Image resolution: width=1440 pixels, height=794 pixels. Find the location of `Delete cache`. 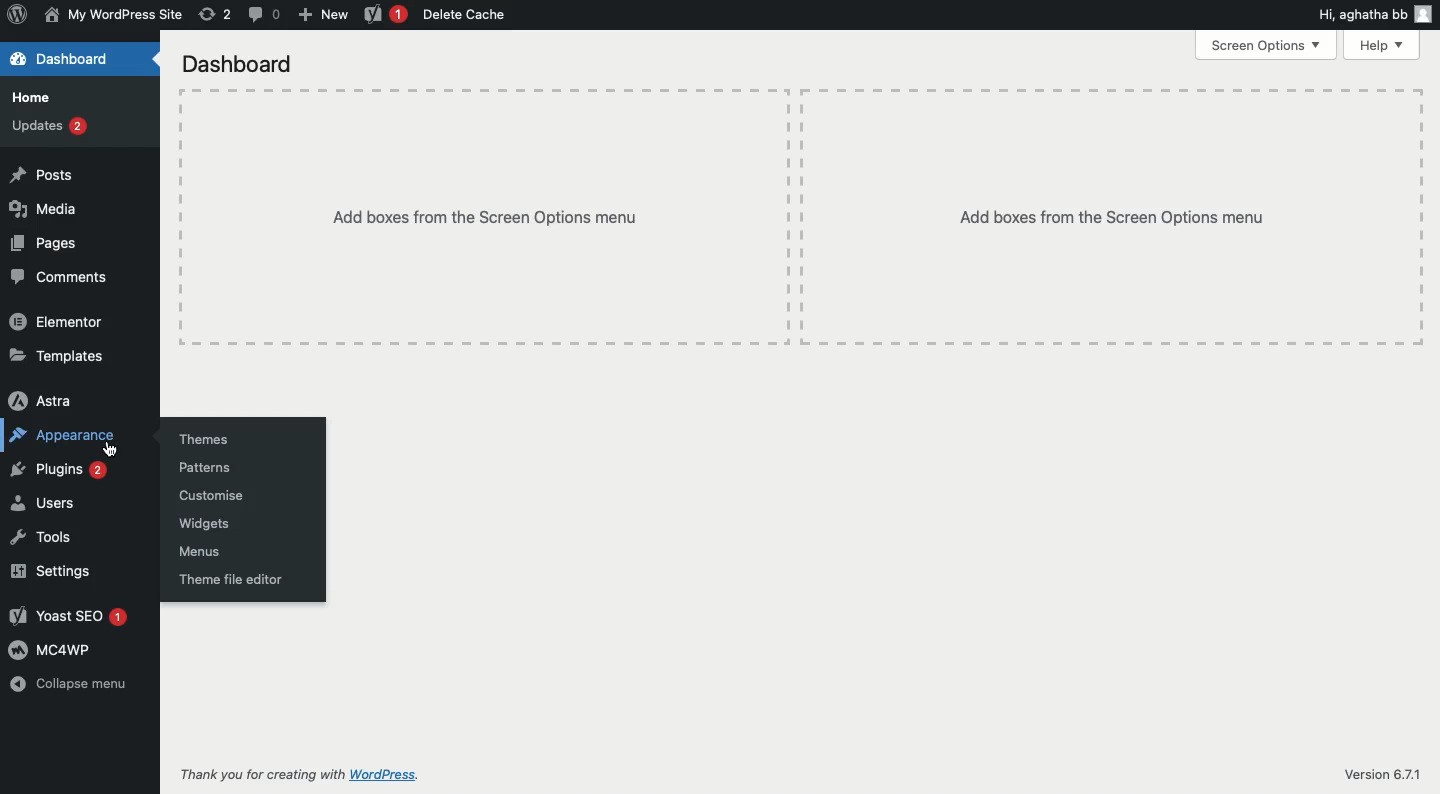

Delete cache is located at coordinates (465, 14).